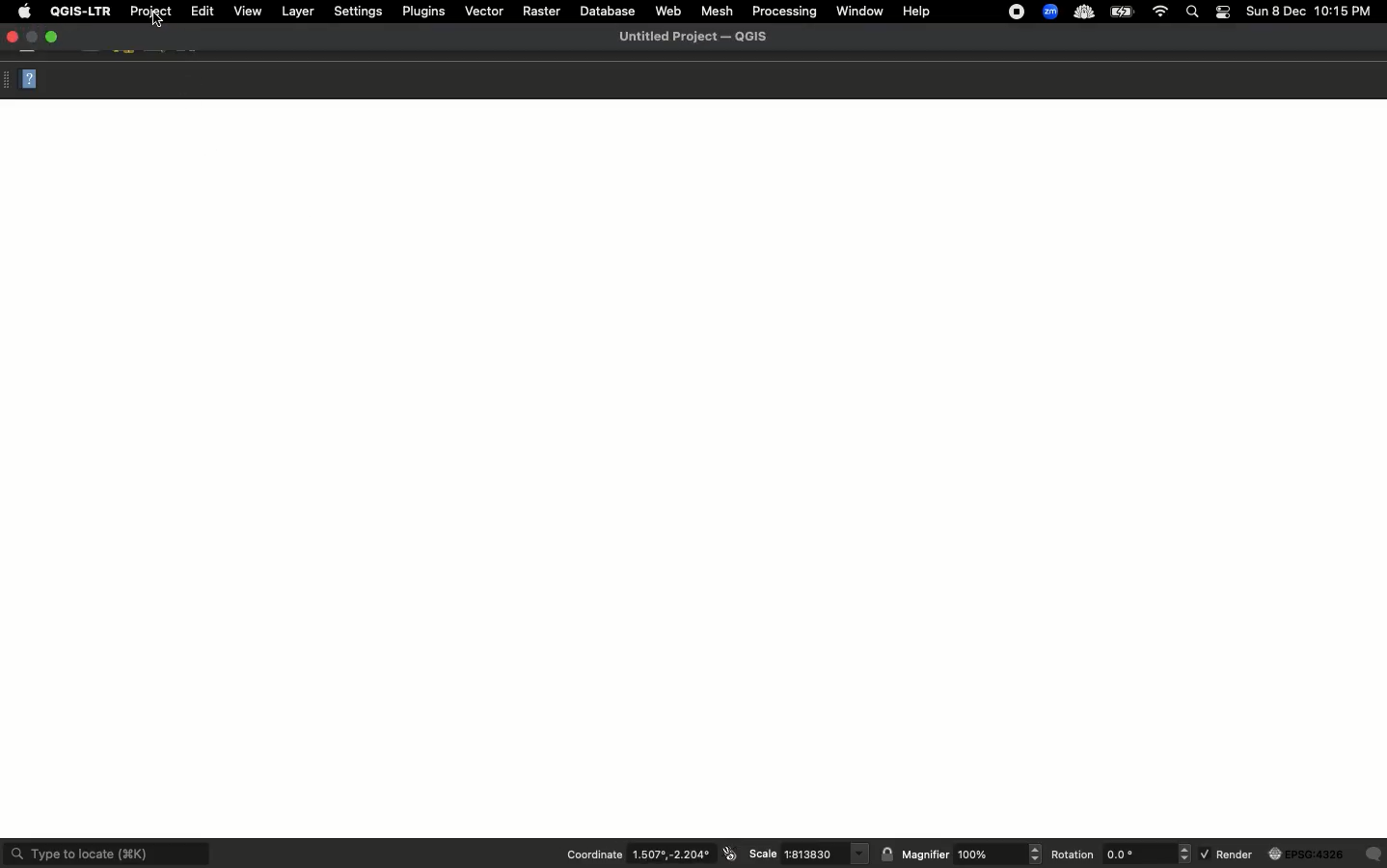 The image size is (1387, 868). I want to click on Rotation, so click(1074, 855).